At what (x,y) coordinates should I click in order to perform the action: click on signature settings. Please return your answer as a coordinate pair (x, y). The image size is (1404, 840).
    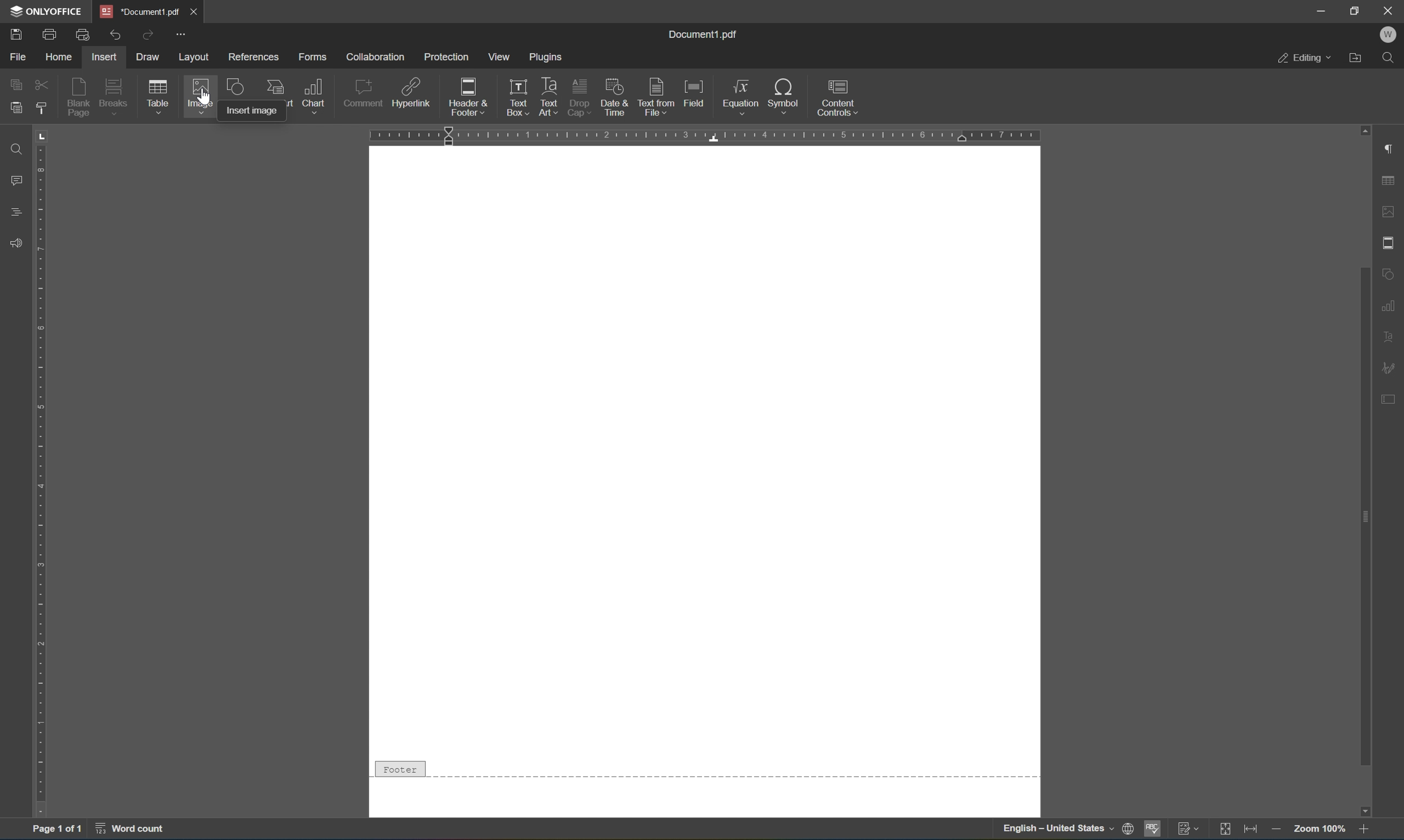
    Looking at the image, I should click on (1391, 367).